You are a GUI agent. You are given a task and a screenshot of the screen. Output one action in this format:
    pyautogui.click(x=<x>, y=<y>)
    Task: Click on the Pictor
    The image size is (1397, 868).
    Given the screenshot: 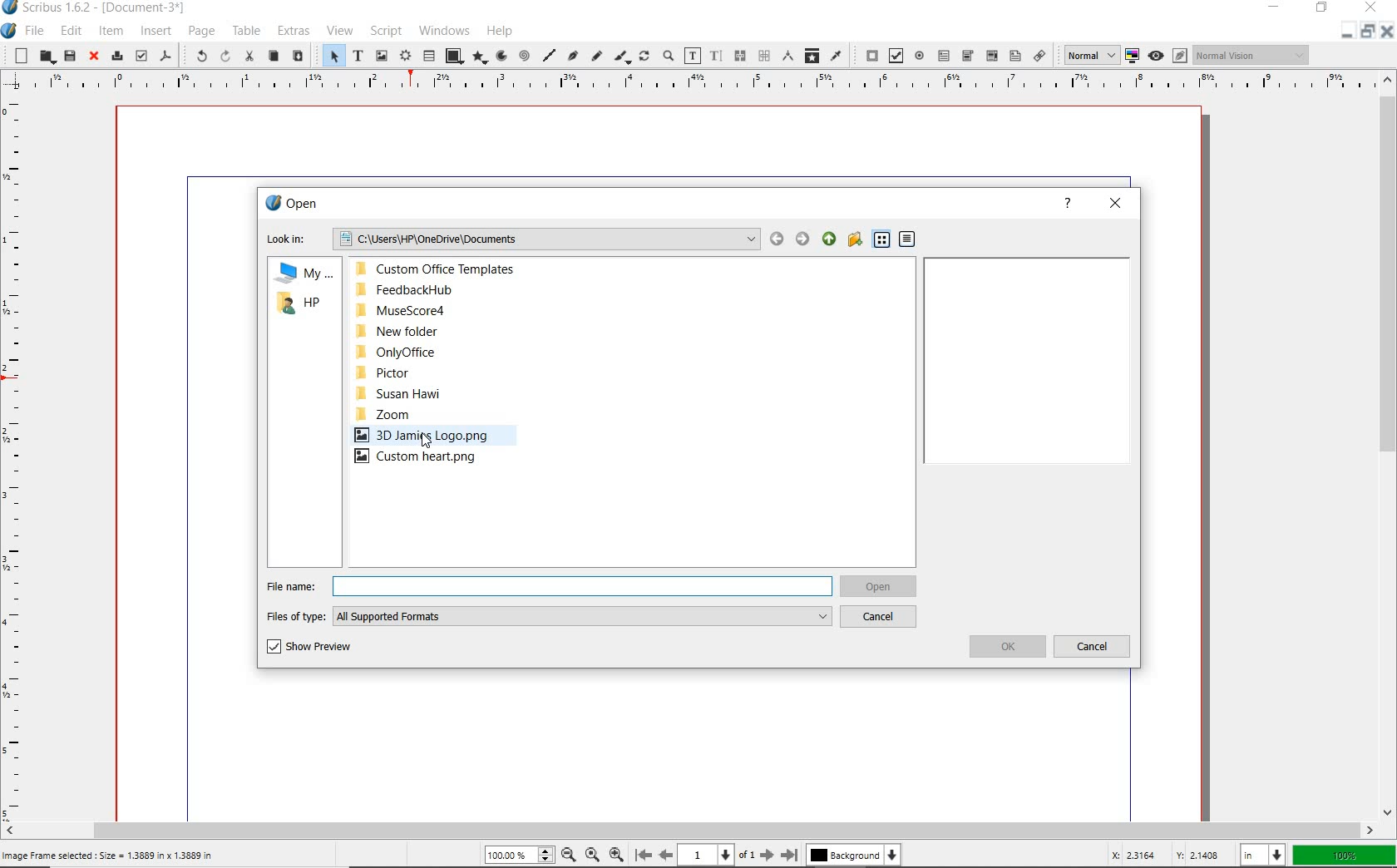 What is the action you would take?
    pyautogui.click(x=432, y=372)
    